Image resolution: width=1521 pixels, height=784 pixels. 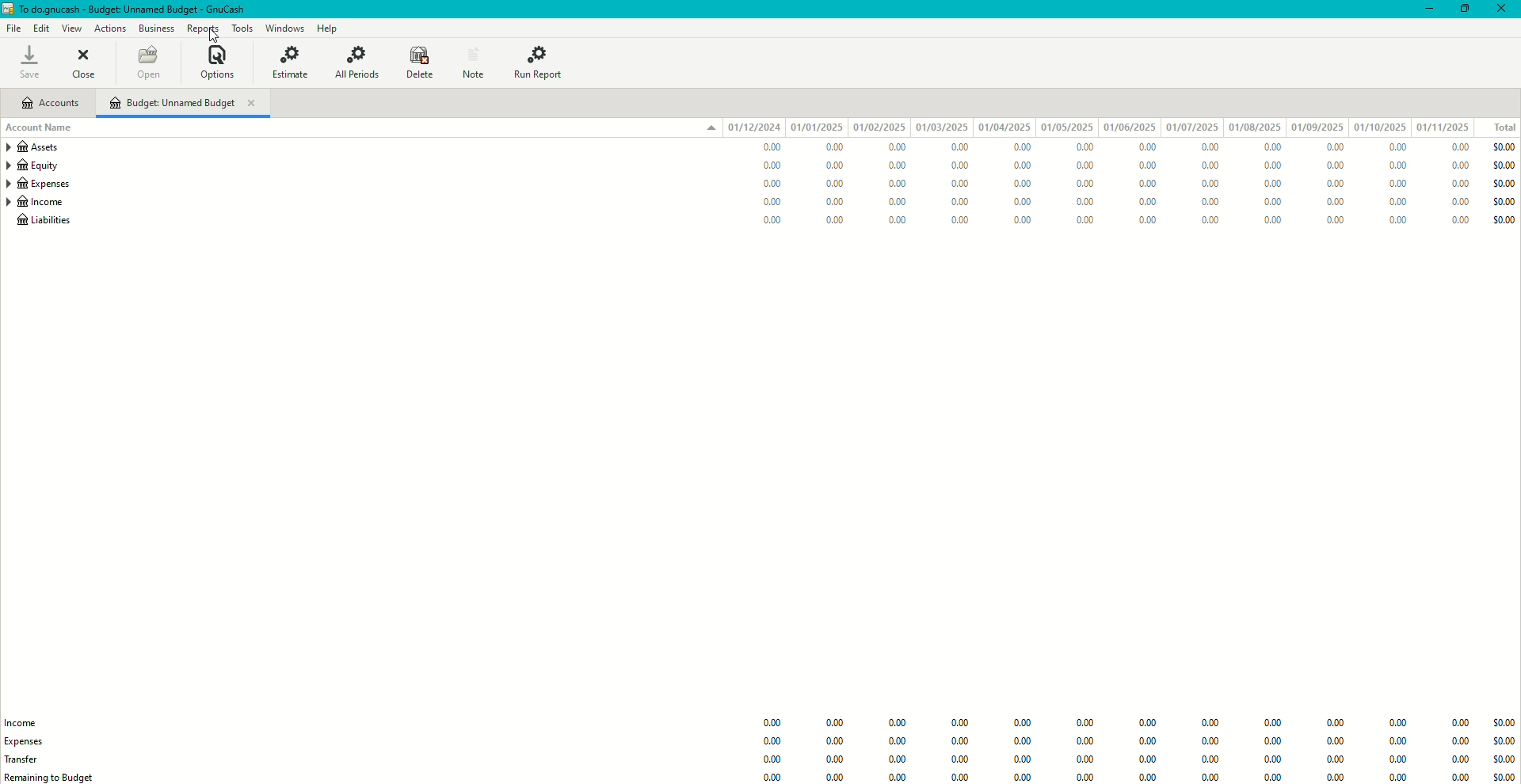 I want to click on 0.00, so click(x=1149, y=182).